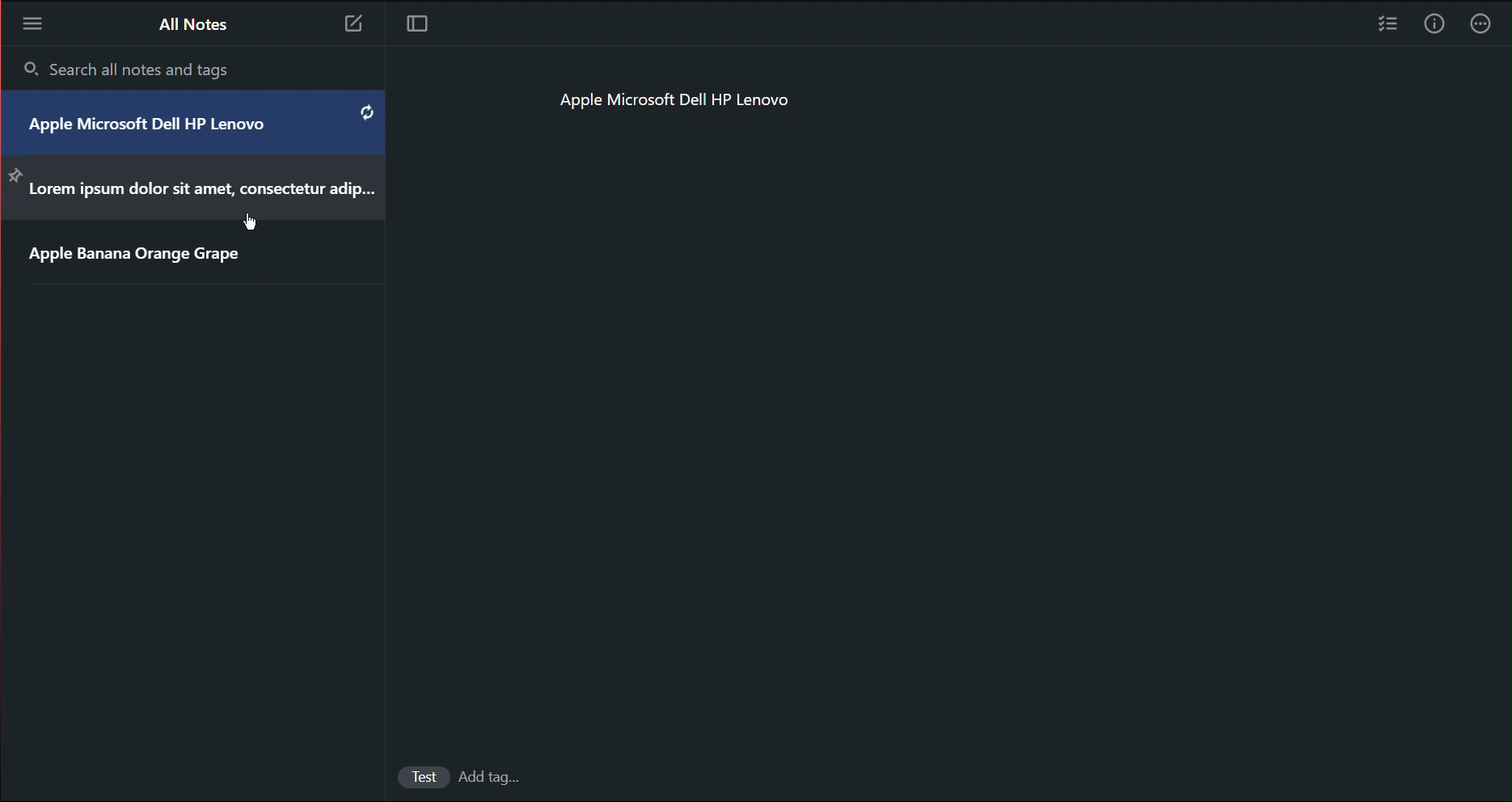 This screenshot has height=802, width=1512. What do you see at coordinates (130, 70) in the screenshot?
I see `Search all notes and tags` at bounding box center [130, 70].